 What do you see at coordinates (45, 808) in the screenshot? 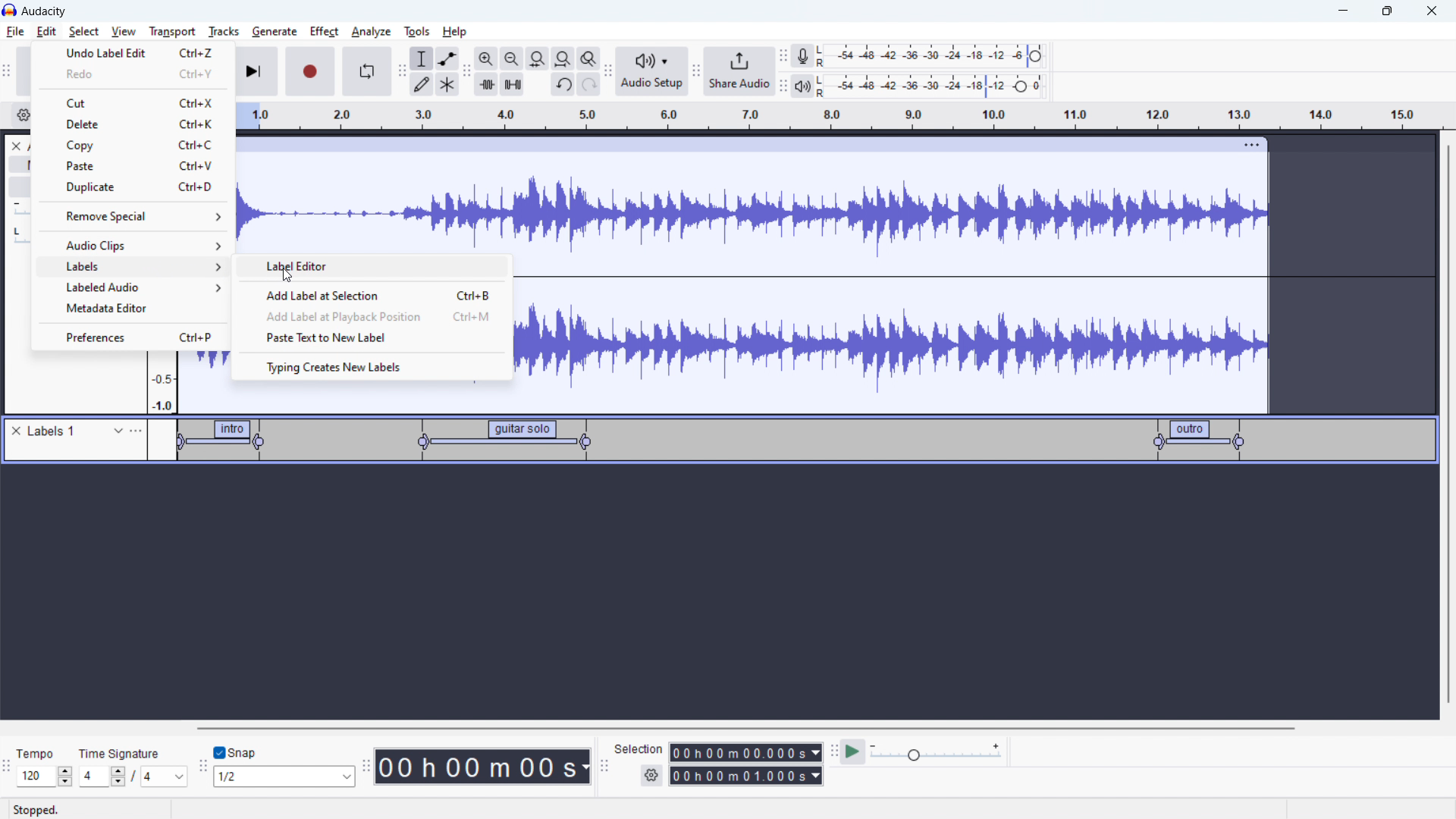
I see `stopped.` at bounding box center [45, 808].